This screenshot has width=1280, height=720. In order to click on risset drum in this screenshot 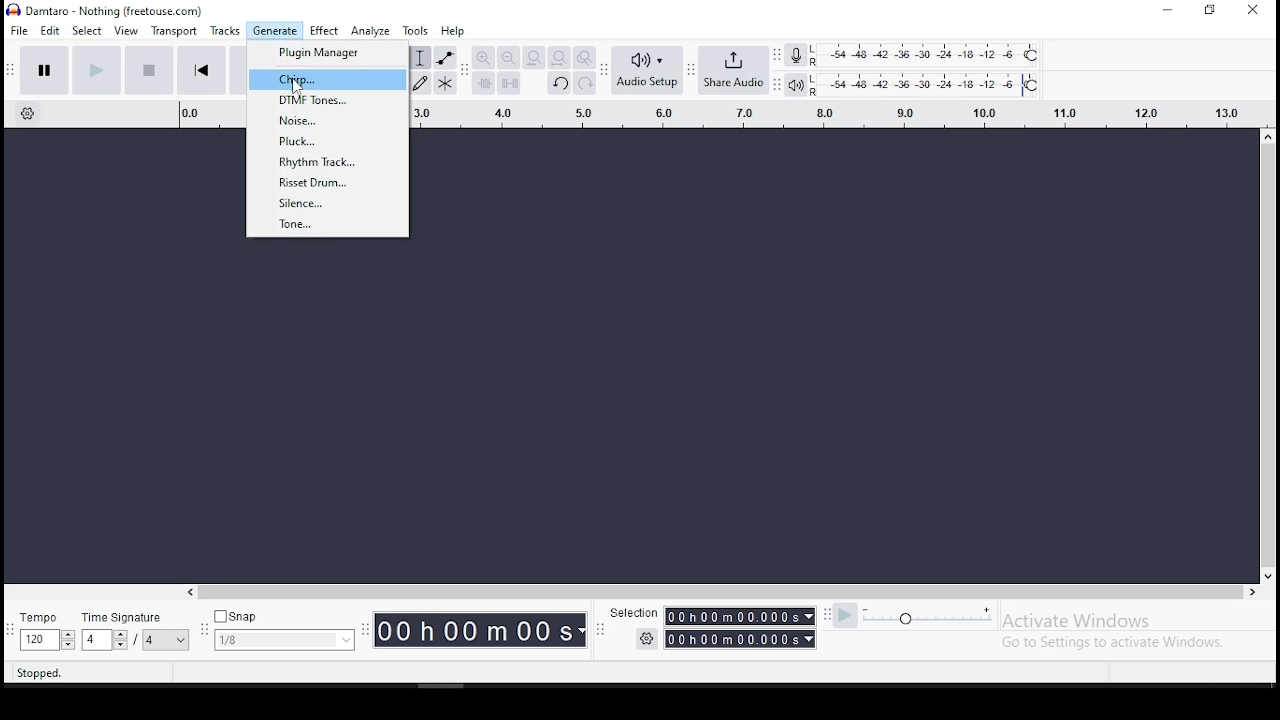, I will do `click(330, 180)`.